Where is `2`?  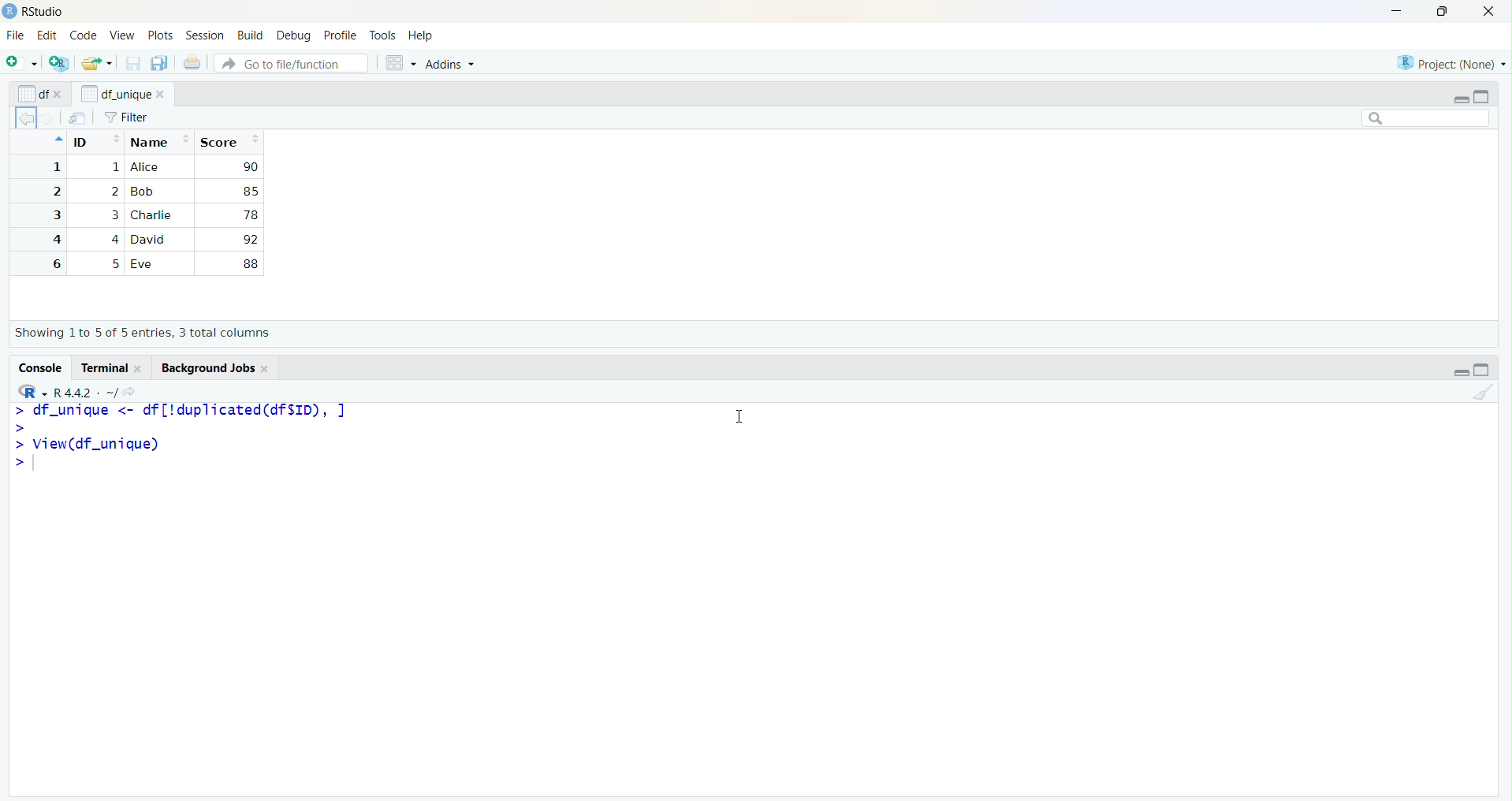 2 is located at coordinates (114, 191).